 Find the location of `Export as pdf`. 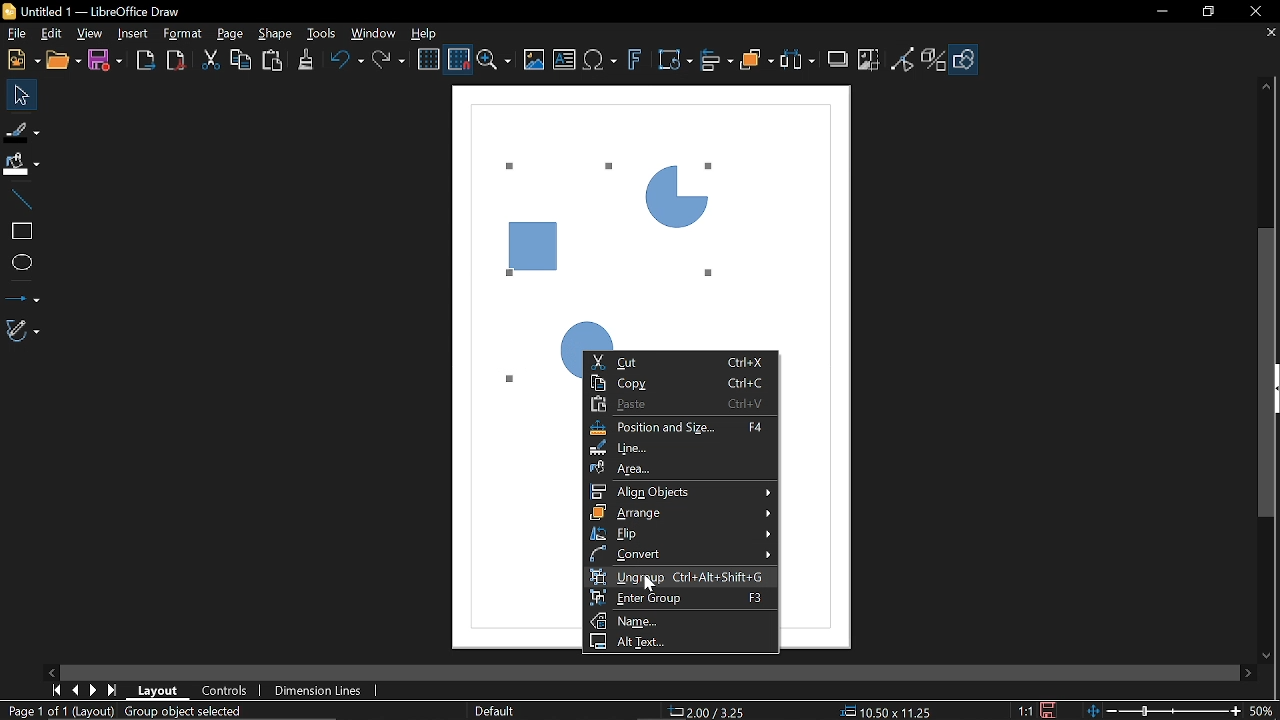

Export as pdf is located at coordinates (178, 61).